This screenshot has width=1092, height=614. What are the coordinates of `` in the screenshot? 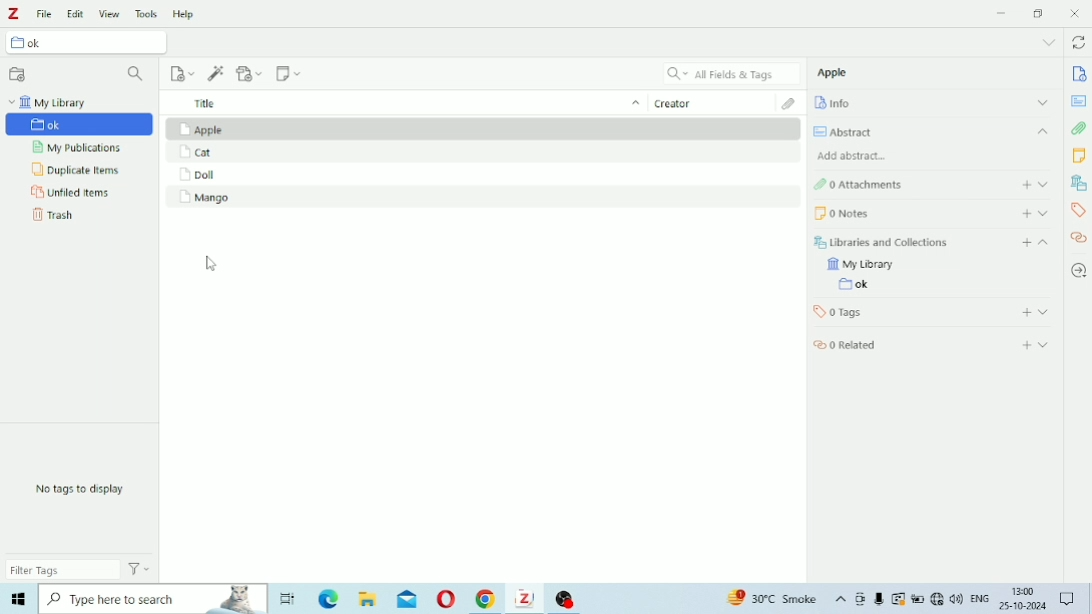 It's located at (328, 598).